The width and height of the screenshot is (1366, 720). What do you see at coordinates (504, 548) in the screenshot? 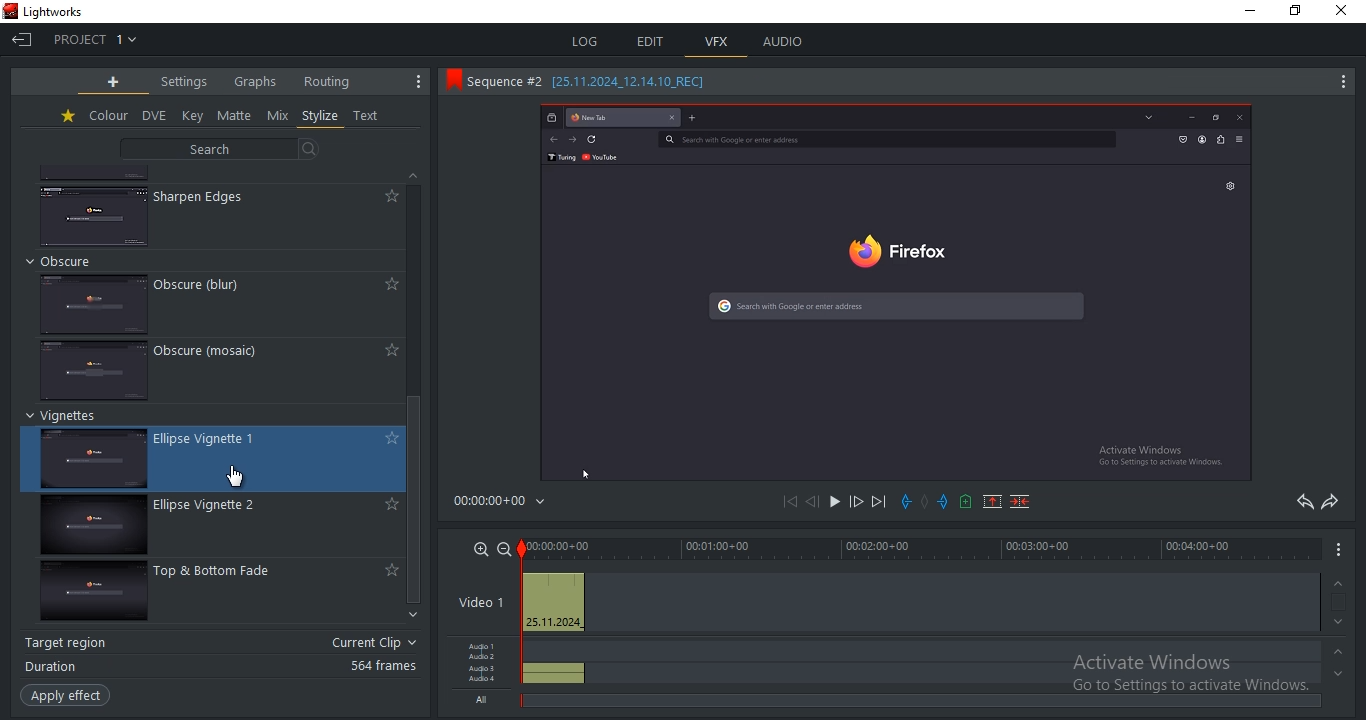
I see `zoom out` at bounding box center [504, 548].